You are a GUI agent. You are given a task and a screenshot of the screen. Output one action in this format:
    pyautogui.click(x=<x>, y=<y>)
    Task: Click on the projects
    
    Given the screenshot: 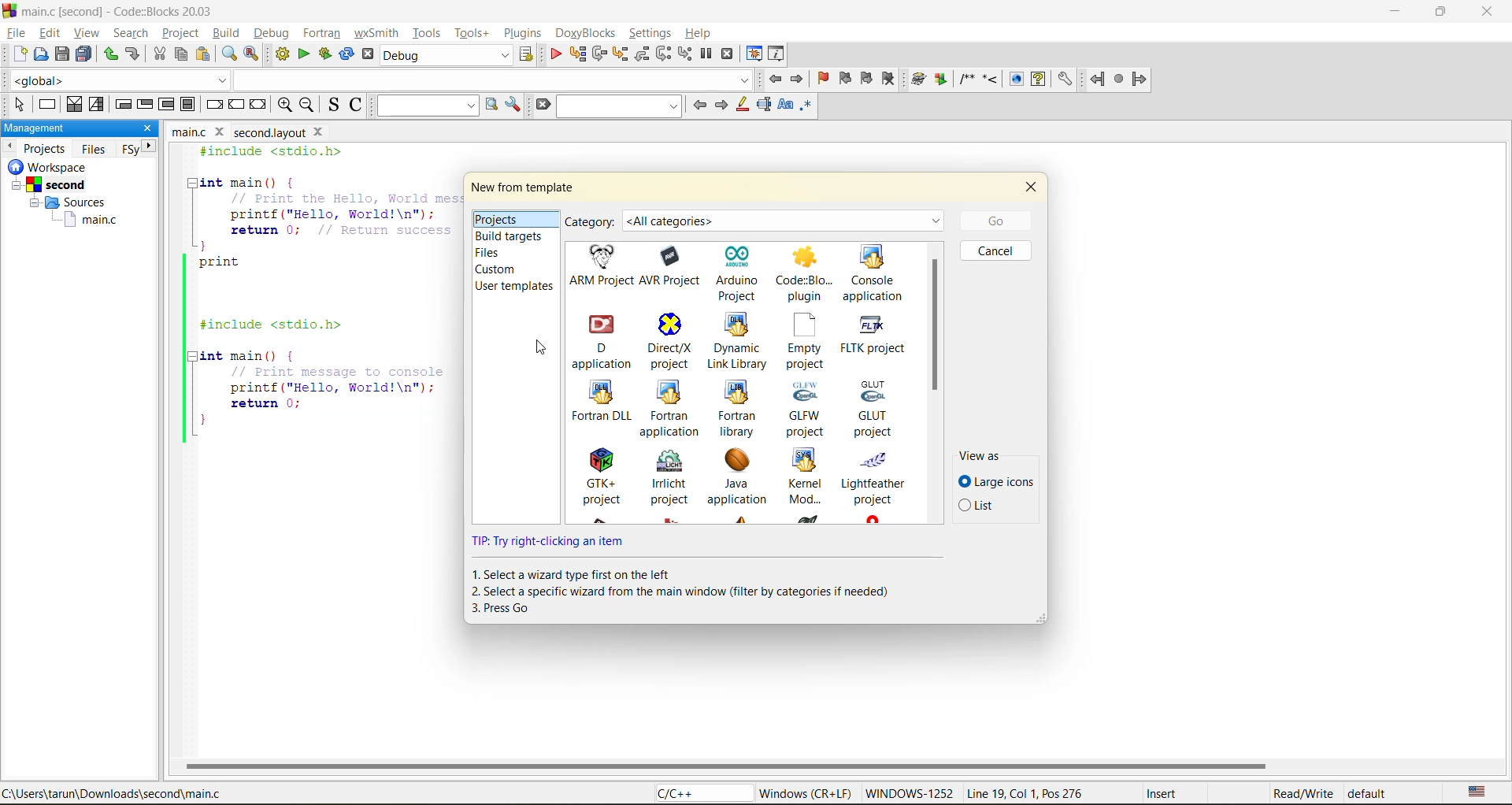 What is the action you would take?
    pyautogui.click(x=46, y=148)
    